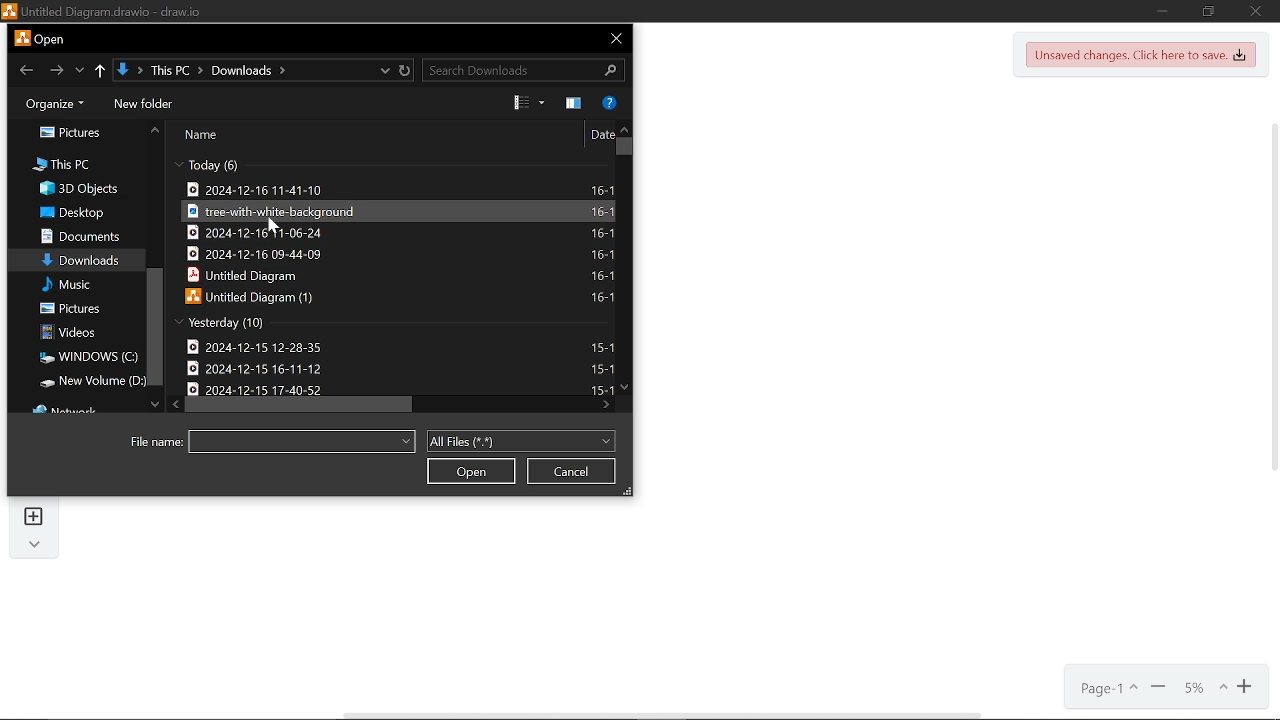  I want to click on music, so click(68, 284).